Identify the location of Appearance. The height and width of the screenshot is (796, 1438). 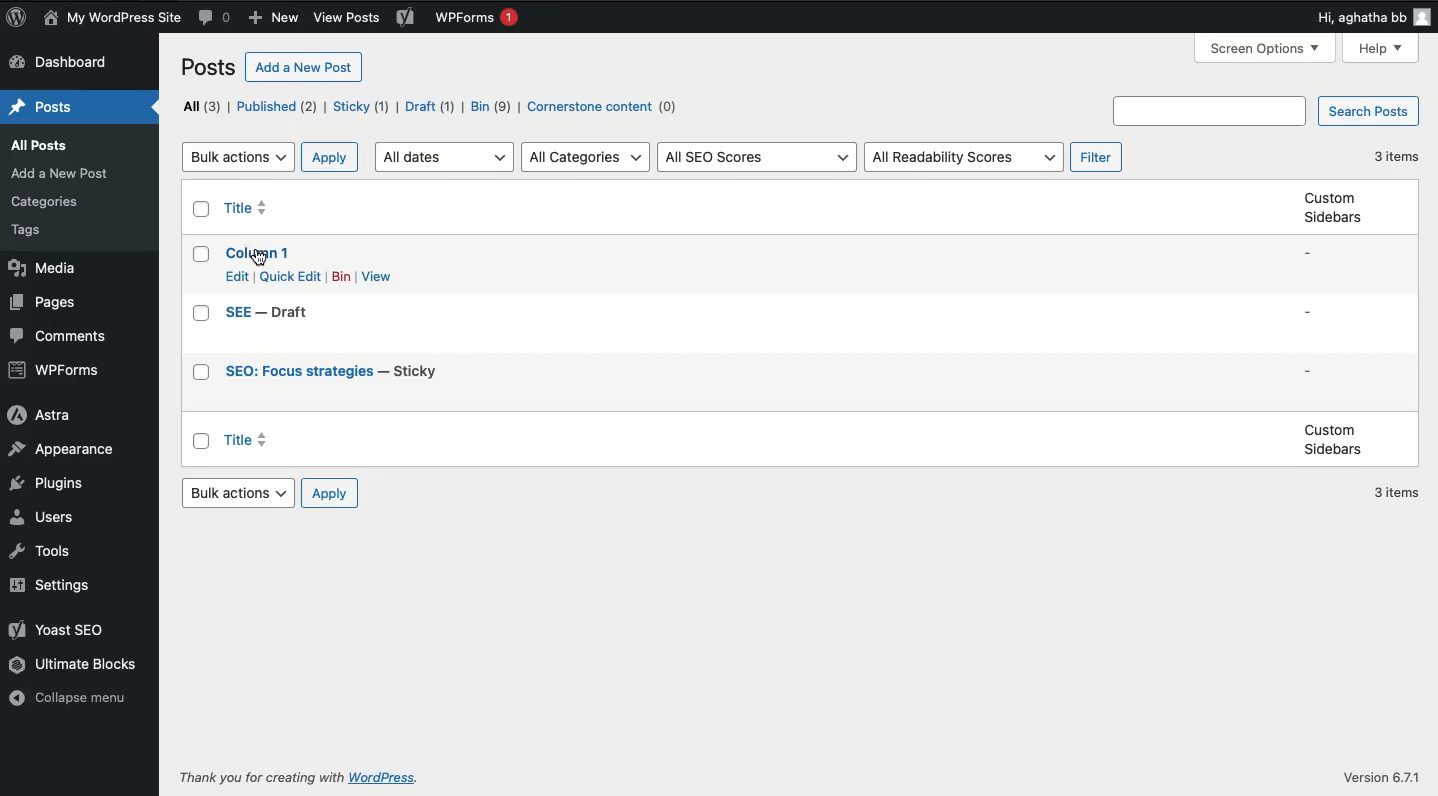
(64, 450).